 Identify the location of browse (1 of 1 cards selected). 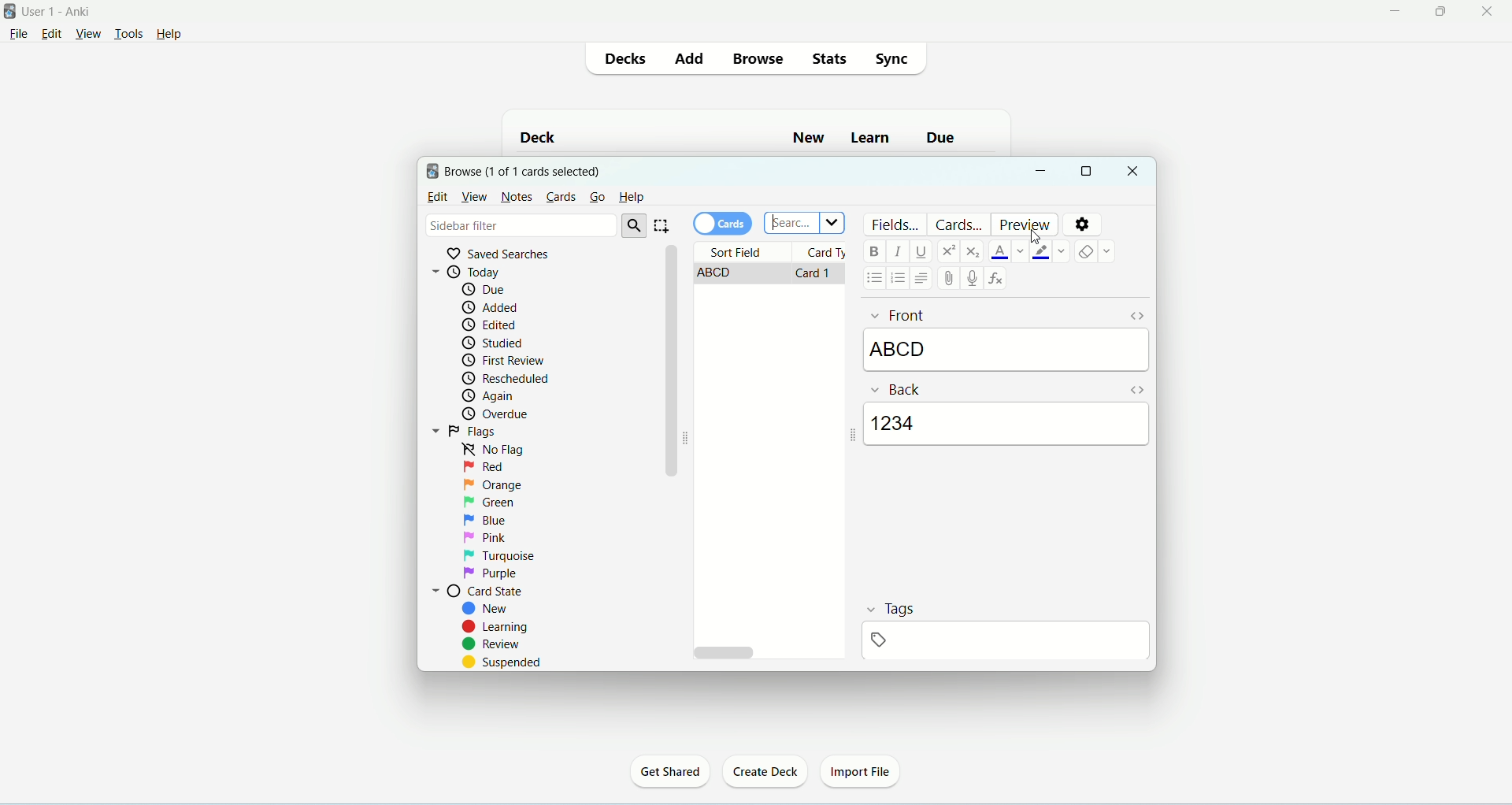
(524, 172).